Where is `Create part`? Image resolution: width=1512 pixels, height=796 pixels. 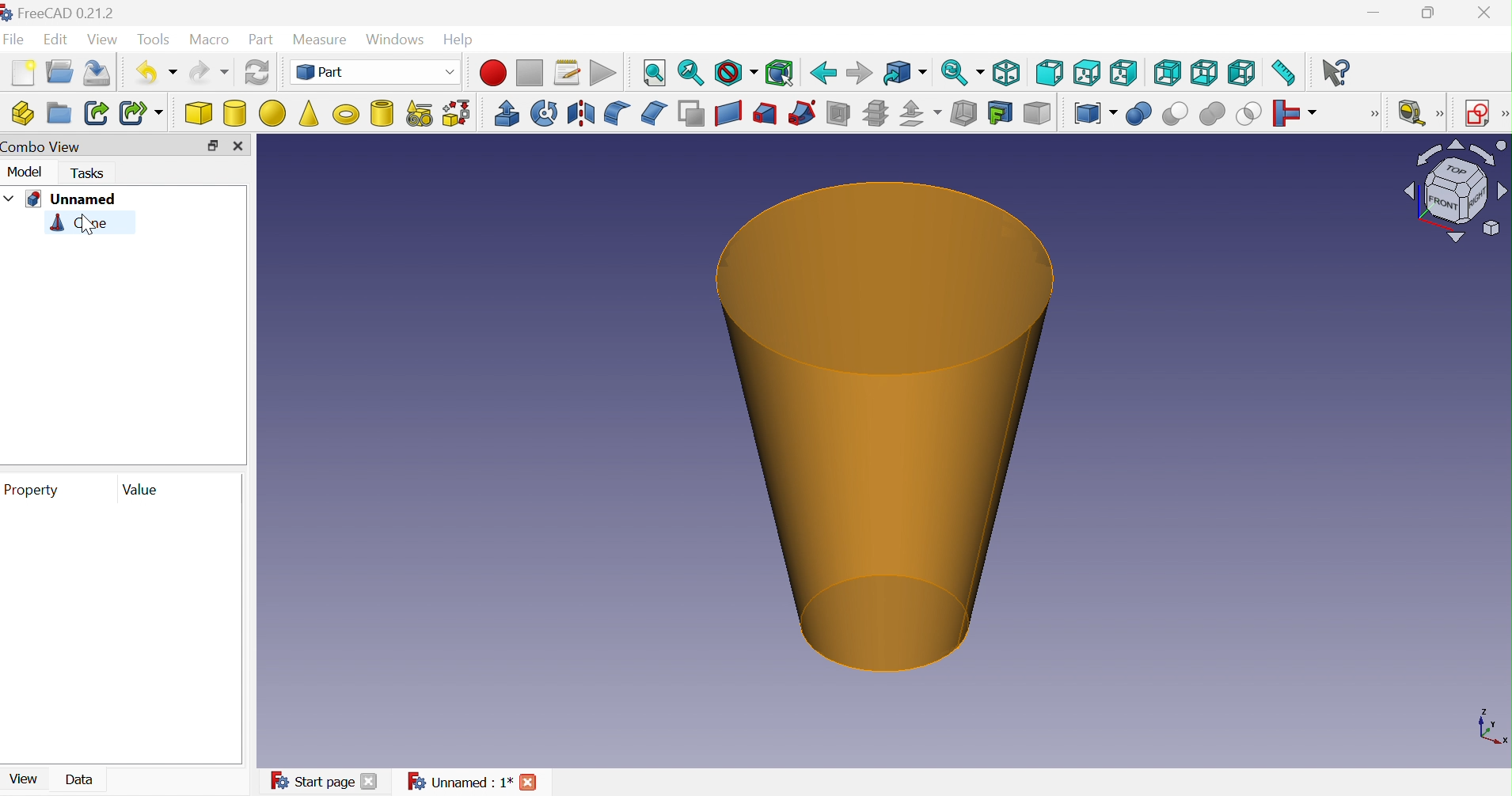 Create part is located at coordinates (23, 111).